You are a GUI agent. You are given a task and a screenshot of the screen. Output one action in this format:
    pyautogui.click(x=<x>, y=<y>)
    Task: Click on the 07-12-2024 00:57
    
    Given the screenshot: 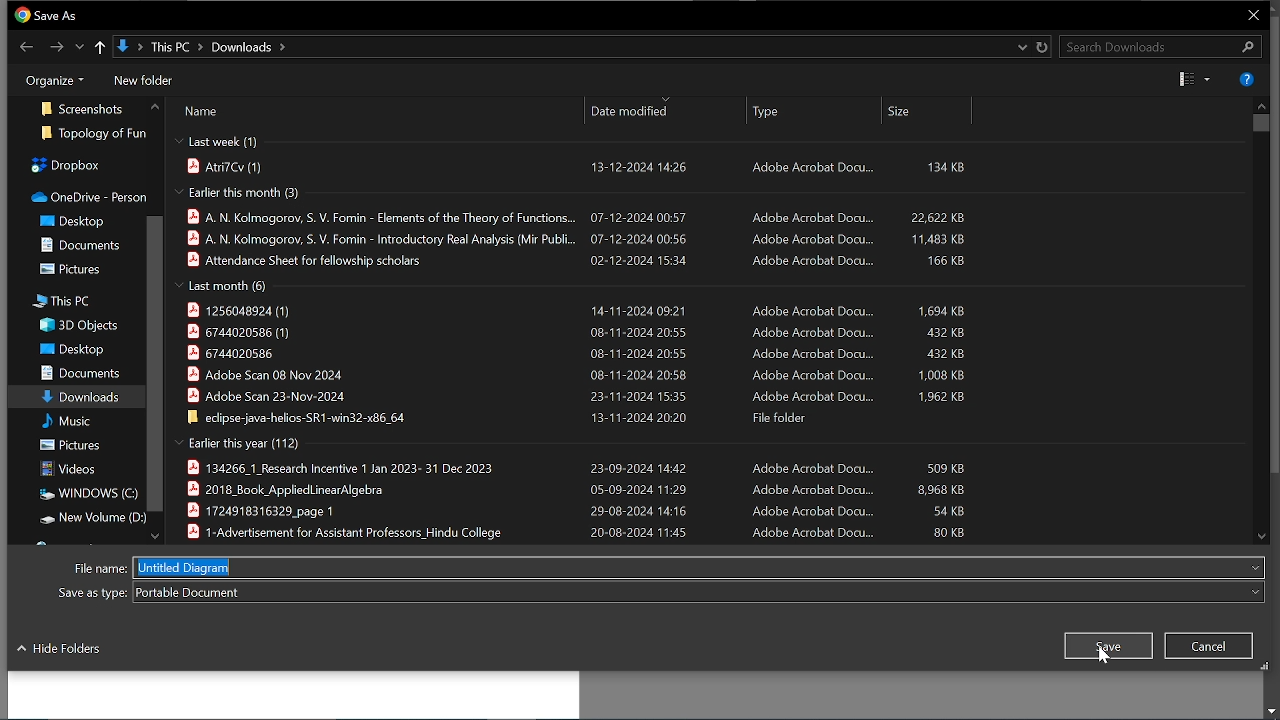 What is the action you would take?
    pyautogui.click(x=637, y=217)
    